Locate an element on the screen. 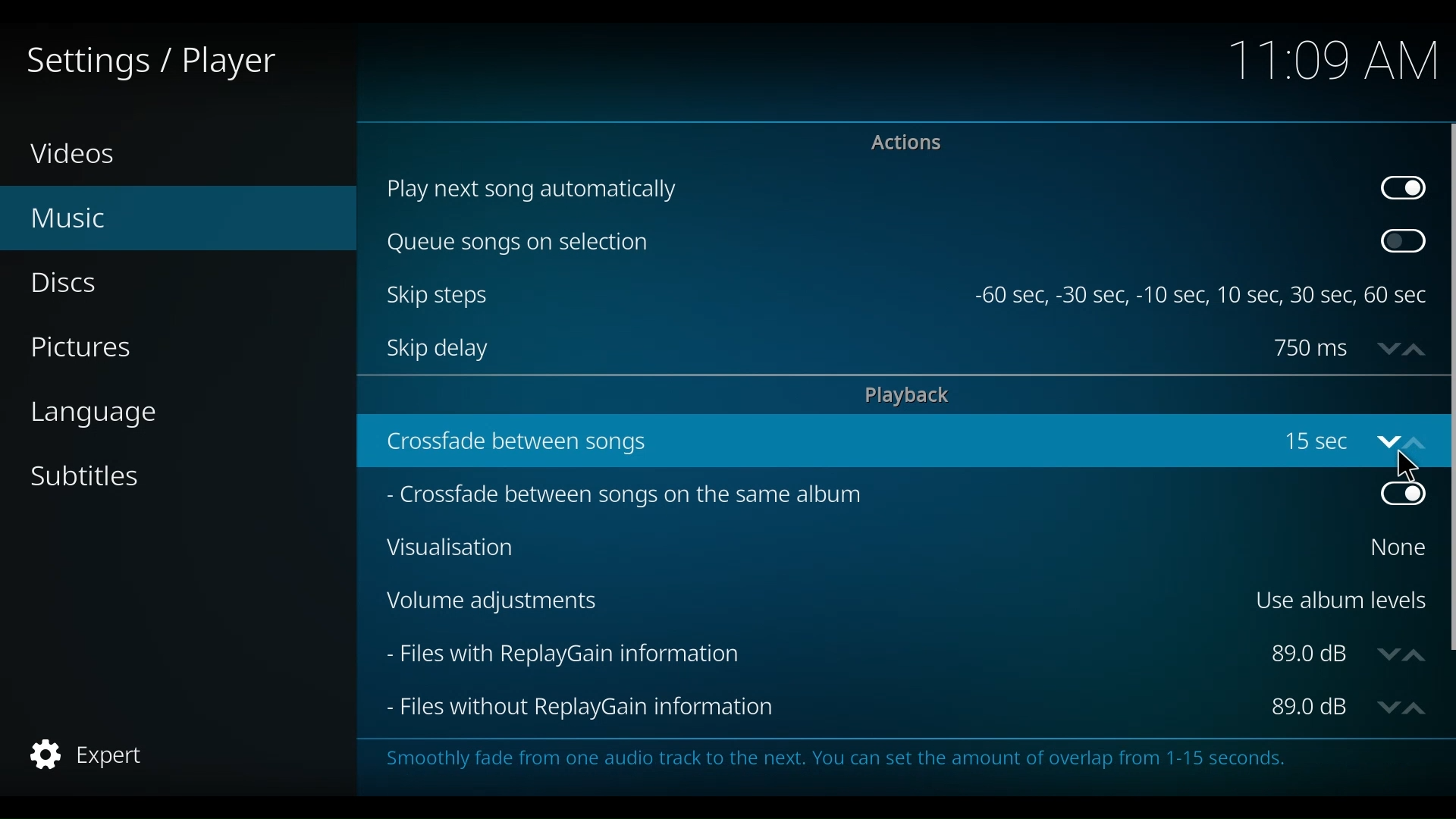 The image size is (1456, 819). down is located at coordinates (1387, 441).